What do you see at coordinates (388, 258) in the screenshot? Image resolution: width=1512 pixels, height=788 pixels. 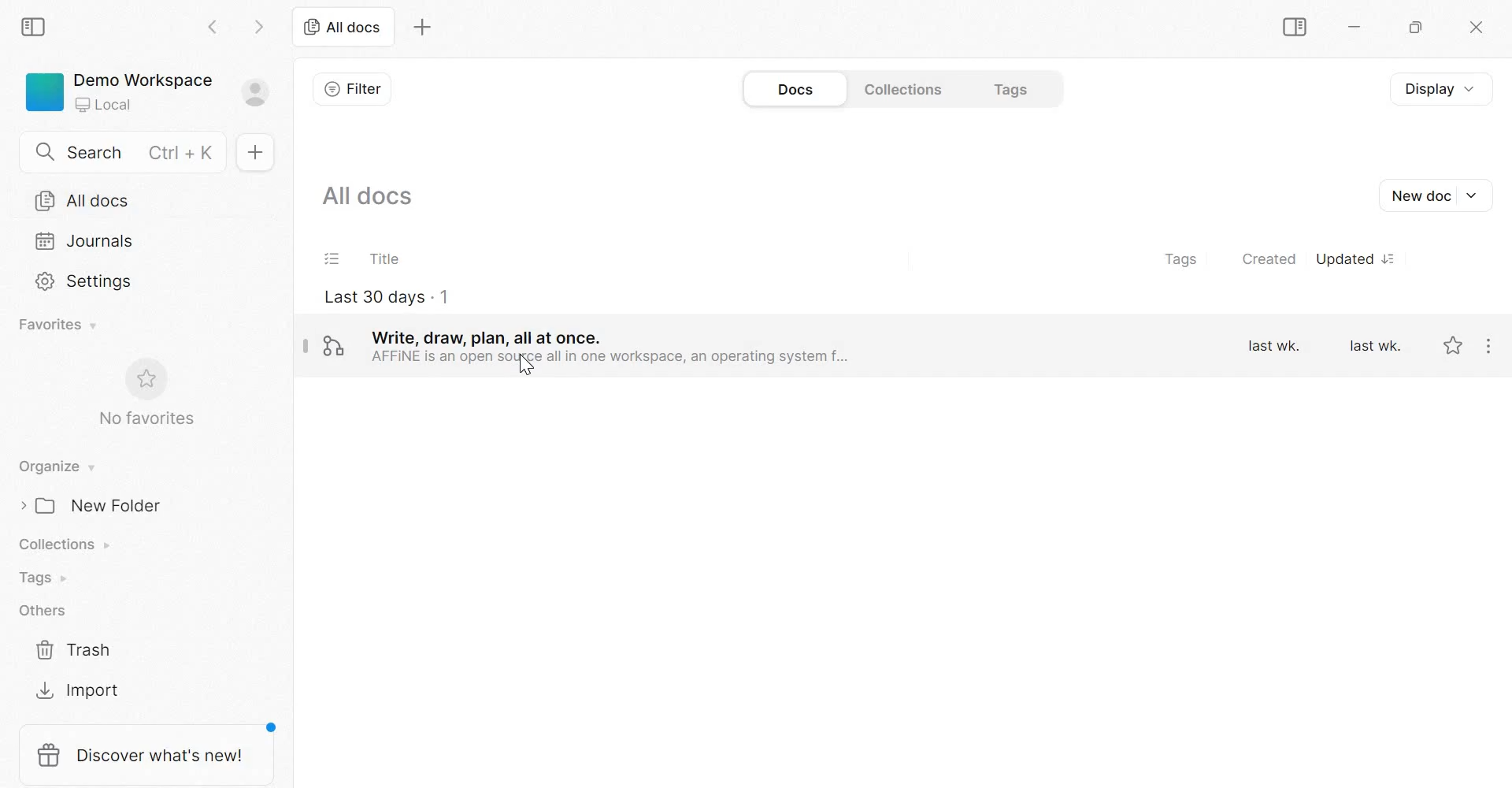 I see `Title` at bounding box center [388, 258].